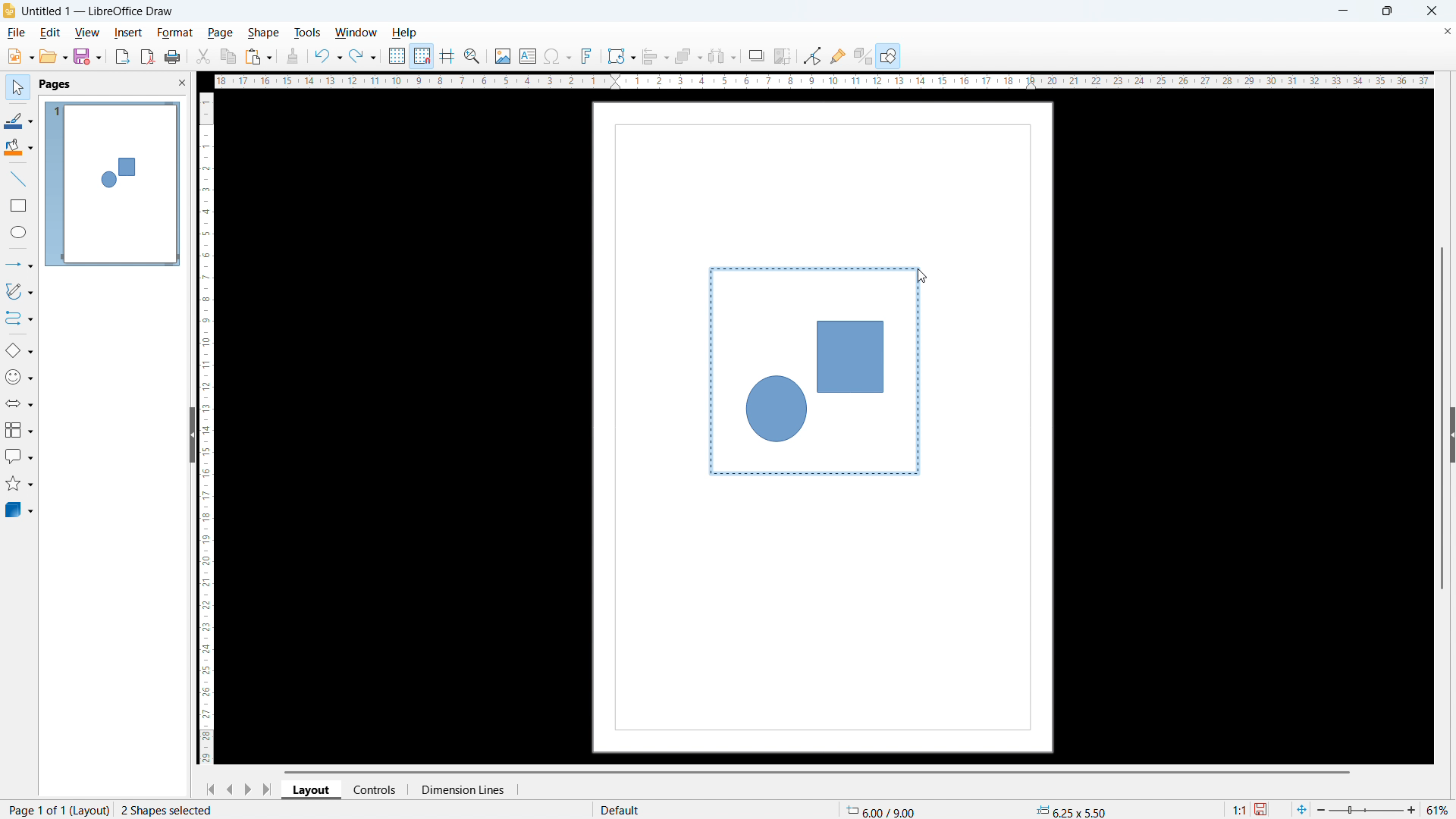  What do you see at coordinates (687, 57) in the screenshot?
I see `arrange` at bounding box center [687, 57].